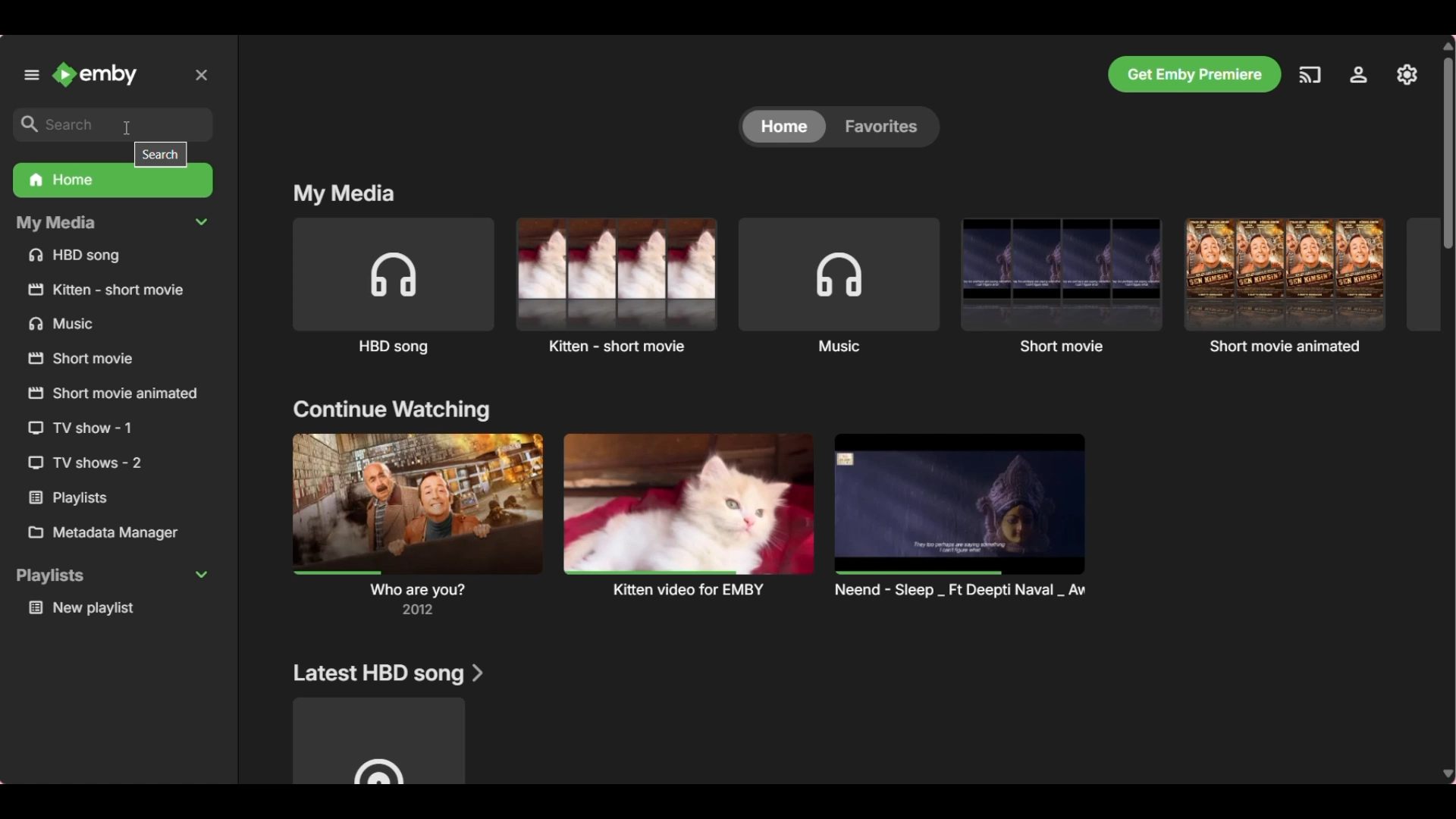 The image size is (1456, 819). I want to click on , so click(102, 325).